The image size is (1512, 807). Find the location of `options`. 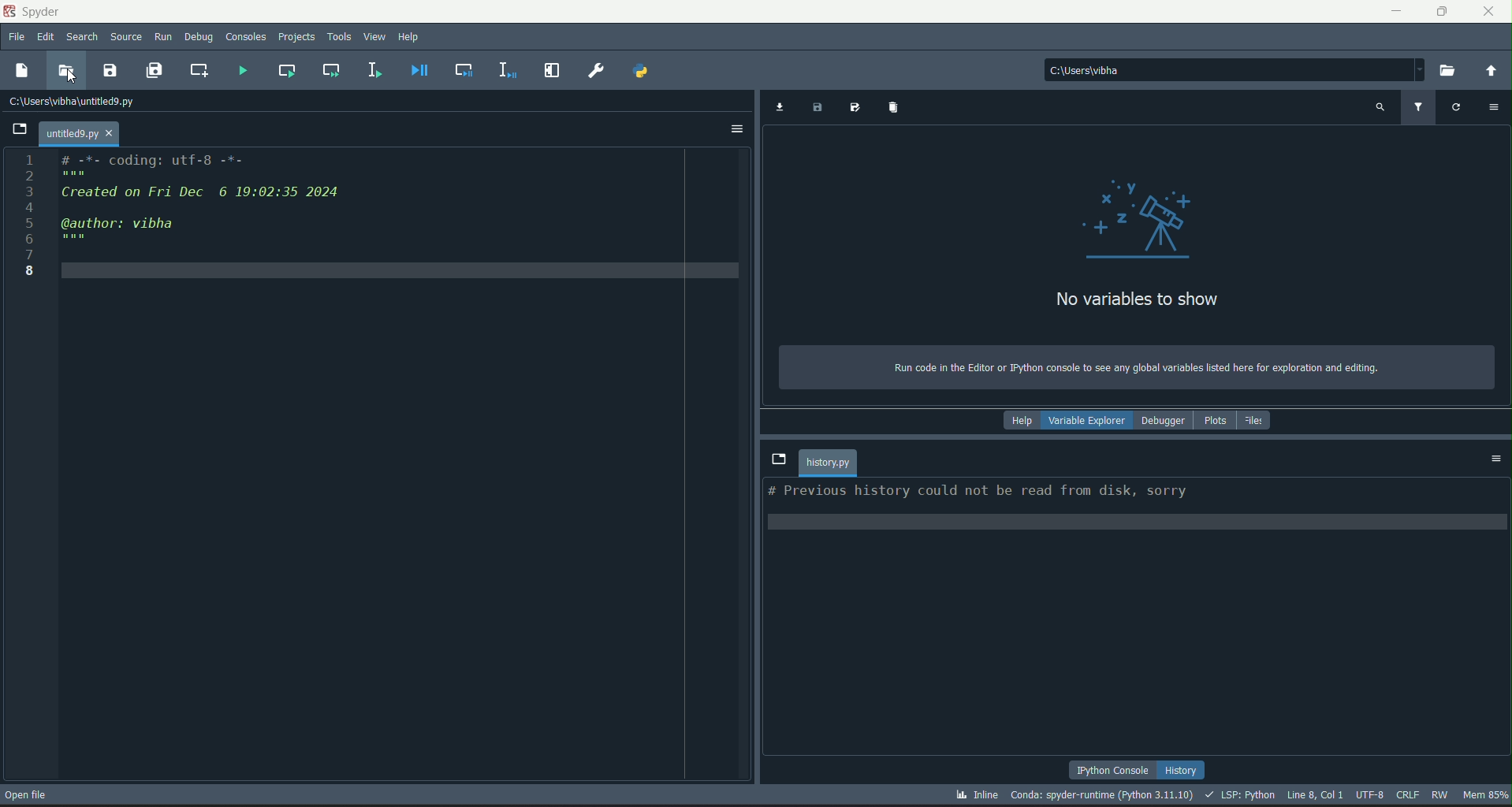

options is located at coordinates (1497, 459).